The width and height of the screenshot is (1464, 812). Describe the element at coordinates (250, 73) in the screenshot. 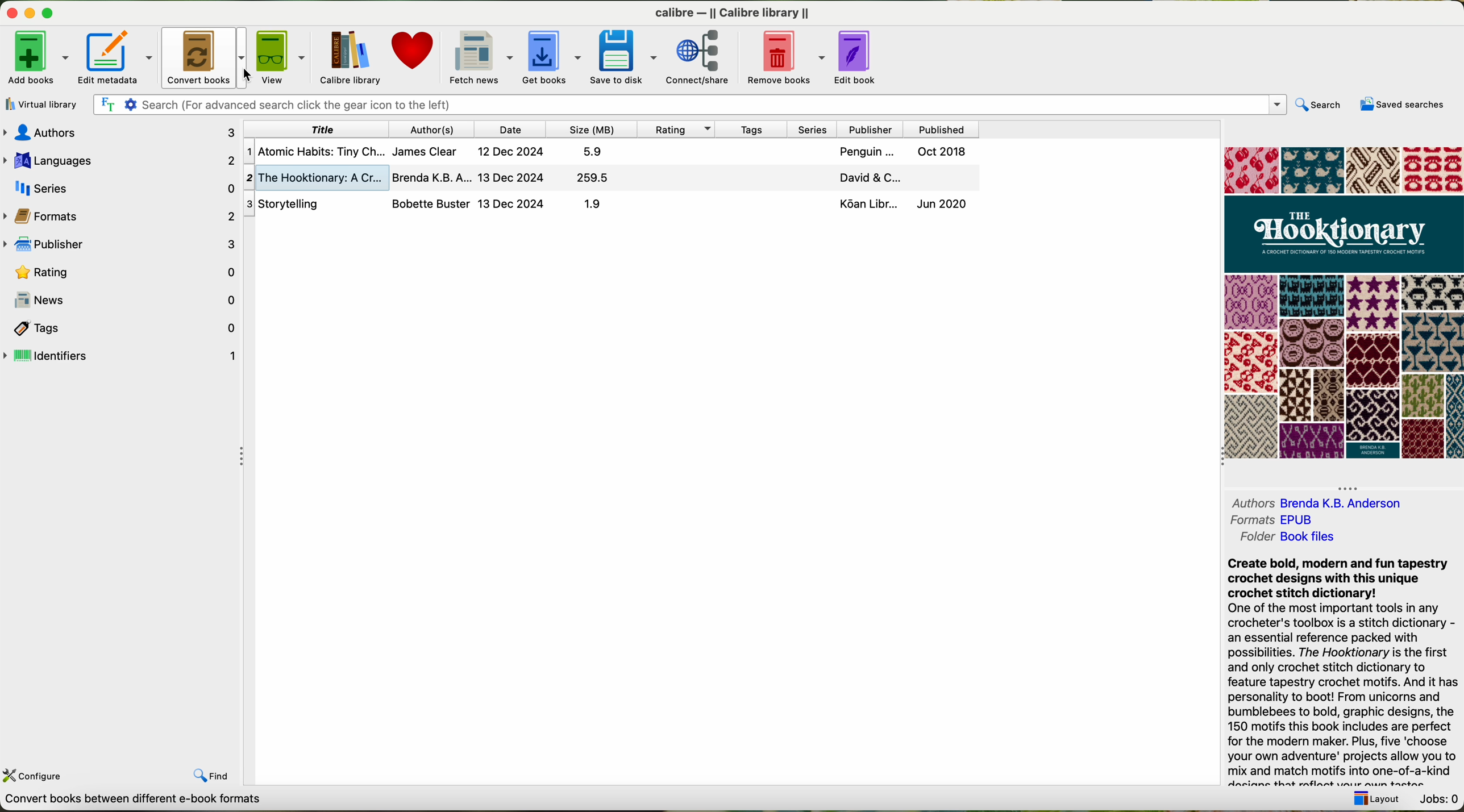

I see `Cursor` at that location.